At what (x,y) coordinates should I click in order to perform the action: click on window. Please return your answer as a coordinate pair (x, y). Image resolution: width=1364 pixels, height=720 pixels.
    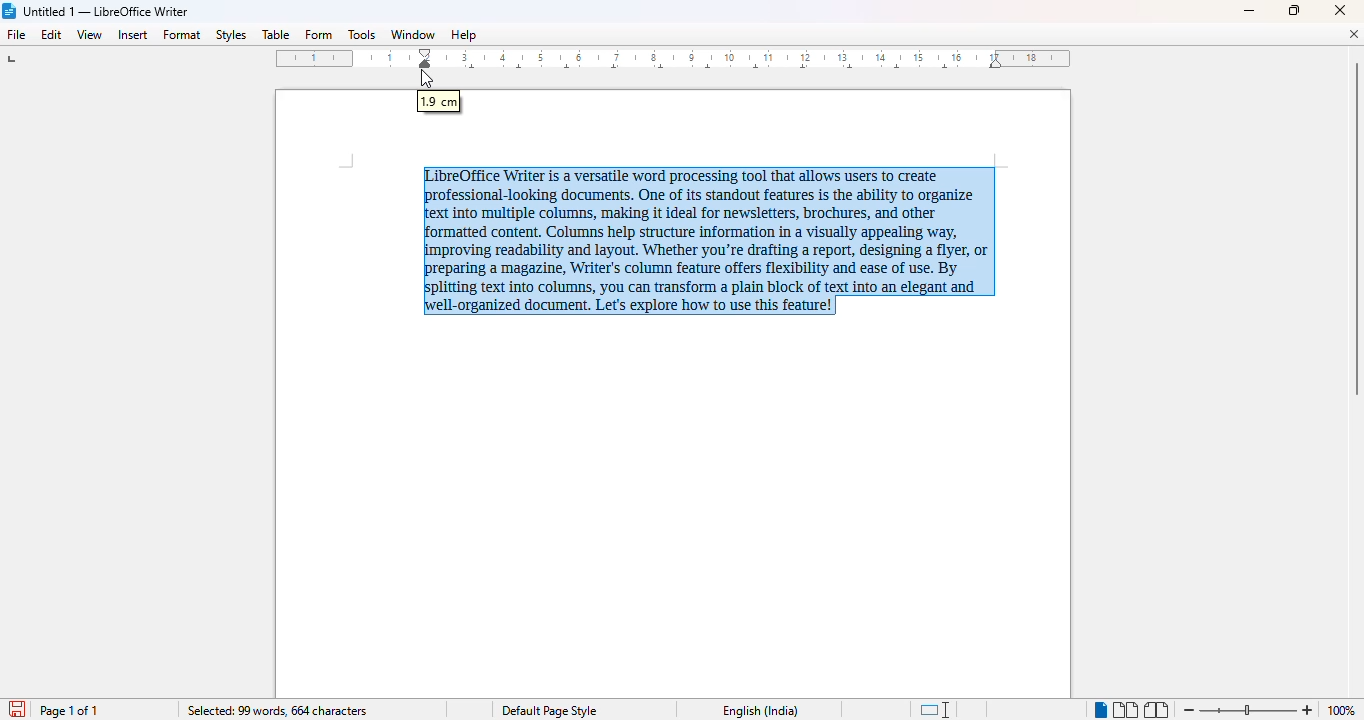
    Looking at the image, I should click on (413, 34).